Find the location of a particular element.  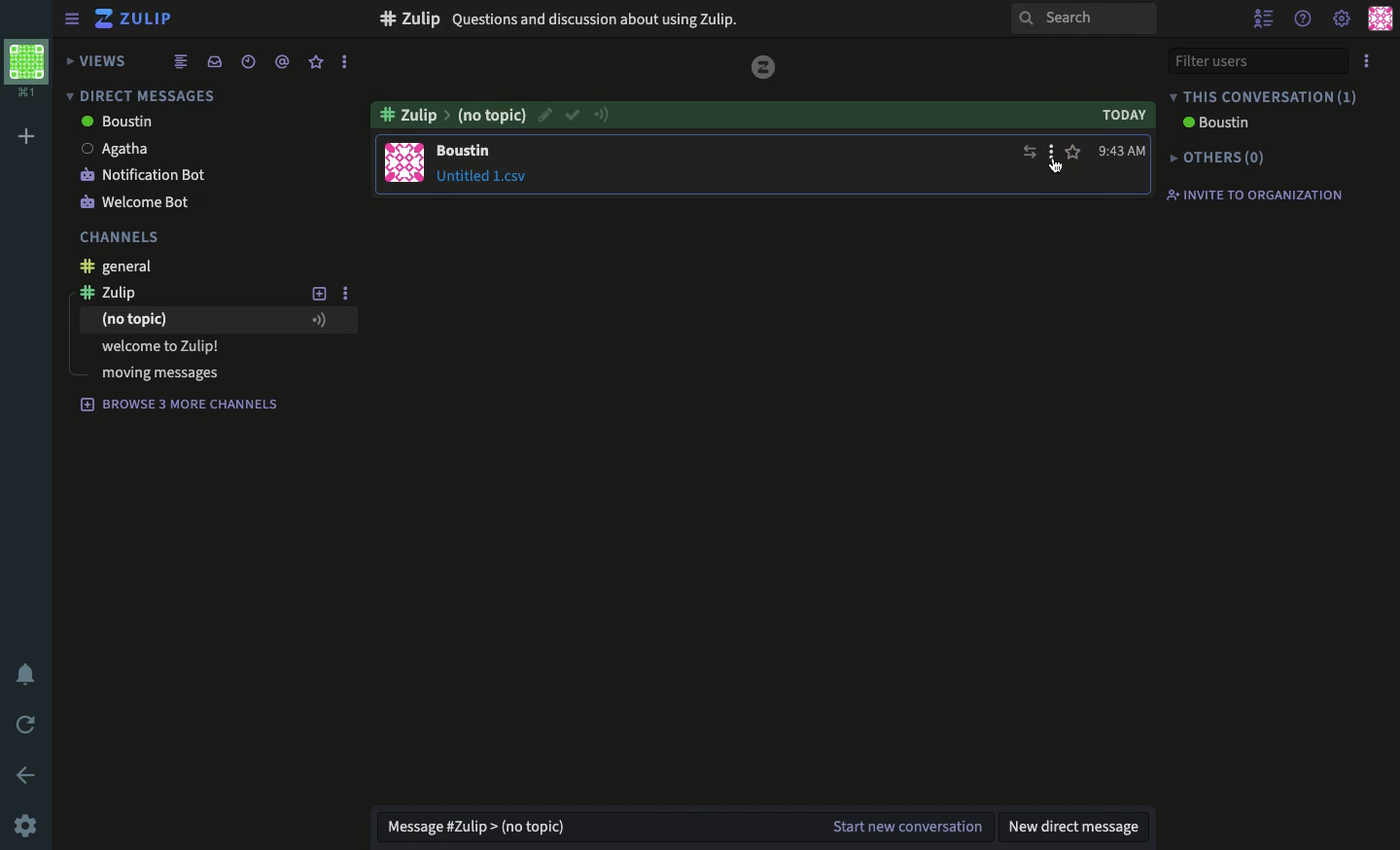

mention is located at coordinates (283, 64).